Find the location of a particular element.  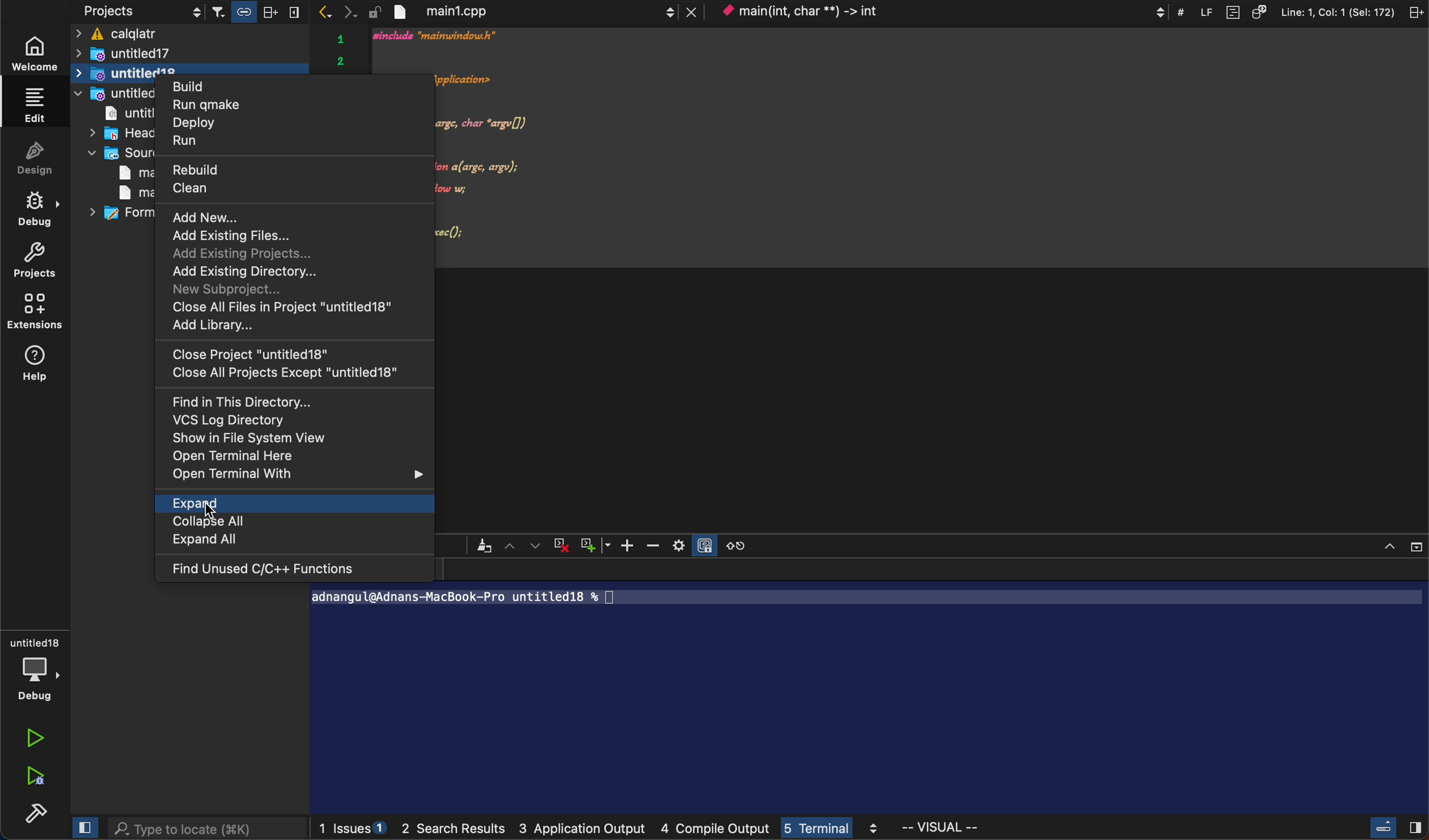

run is located at coordinates (34, 740).